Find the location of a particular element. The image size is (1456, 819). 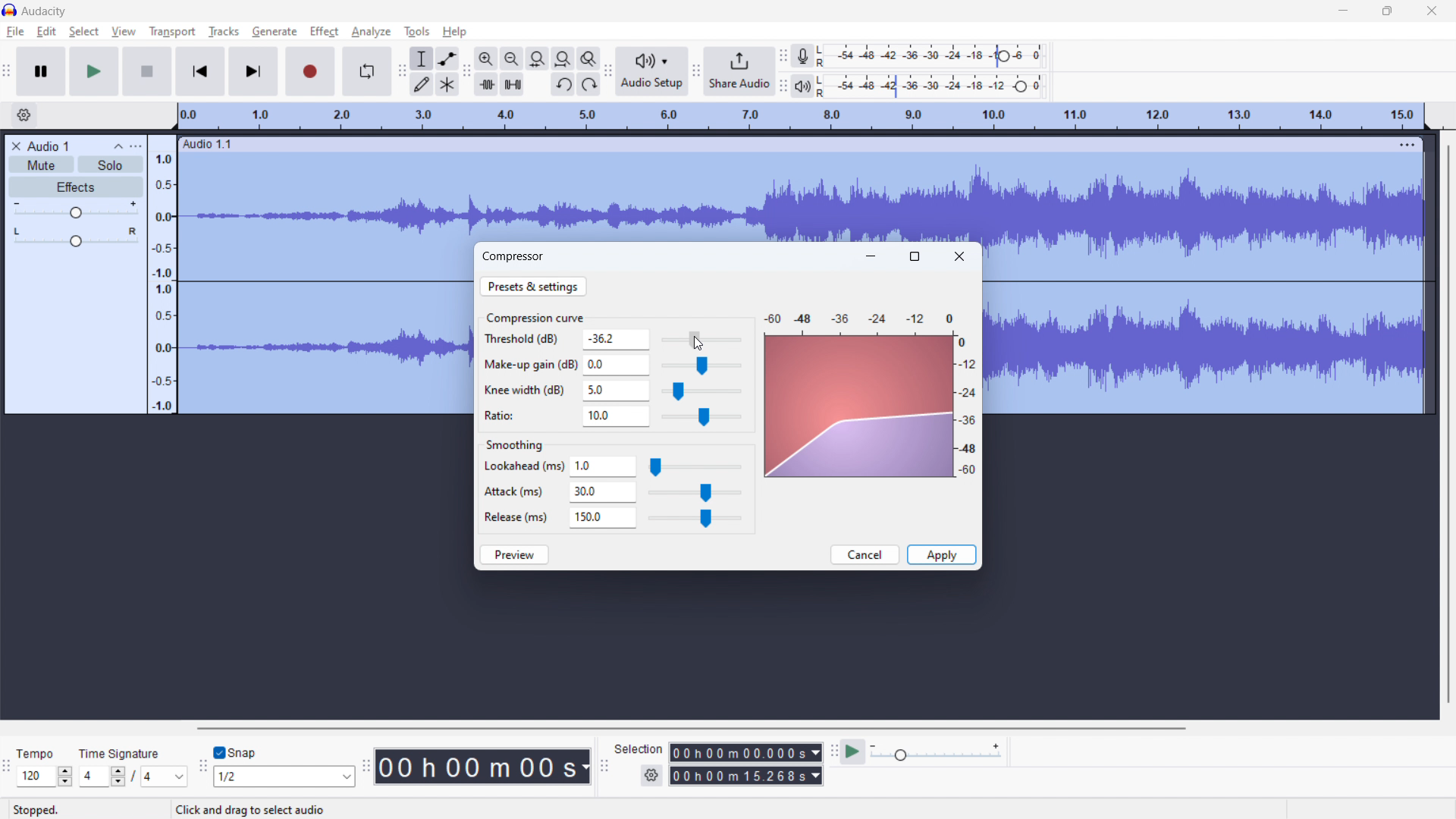

draw tool is located at coordinates (422, 85).